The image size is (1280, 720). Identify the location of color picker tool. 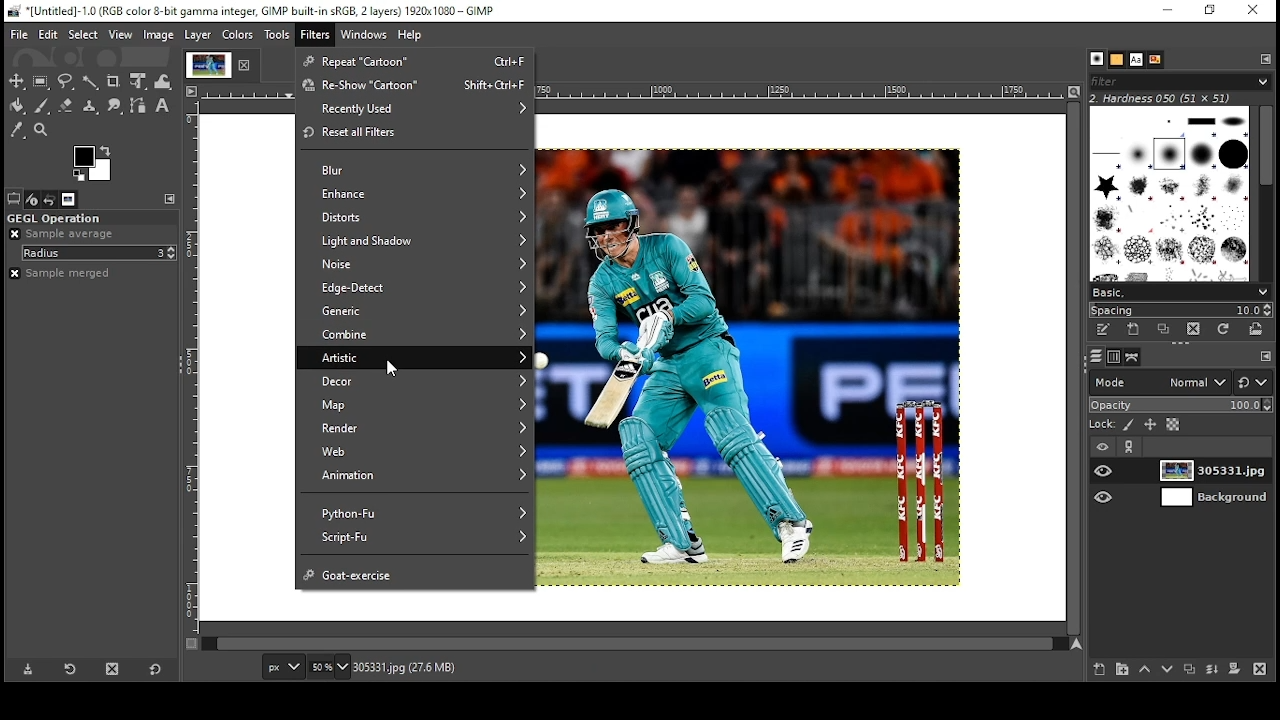
(17, 130).